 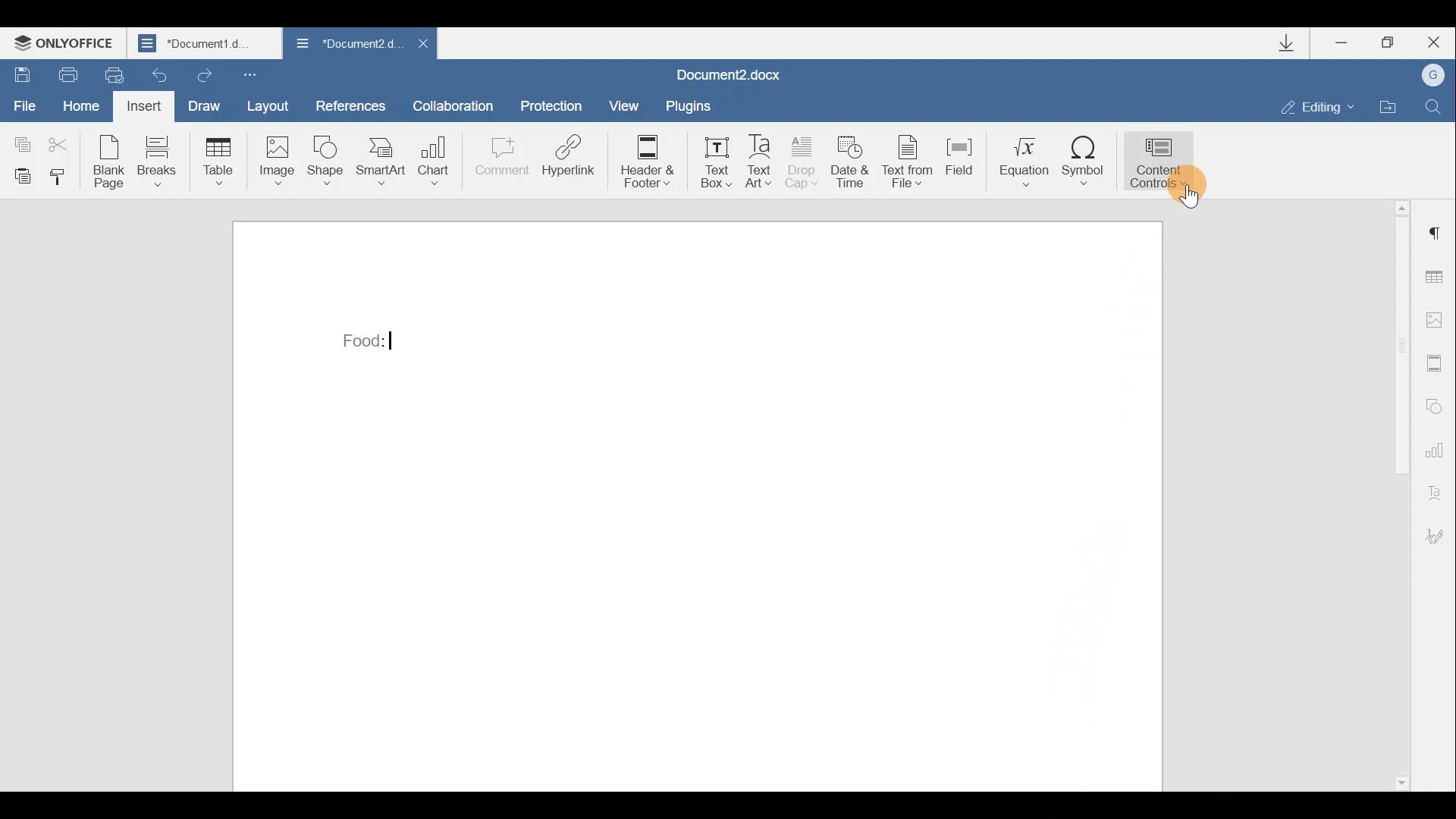 I want to click on Close, so click(x=1432, y=42).